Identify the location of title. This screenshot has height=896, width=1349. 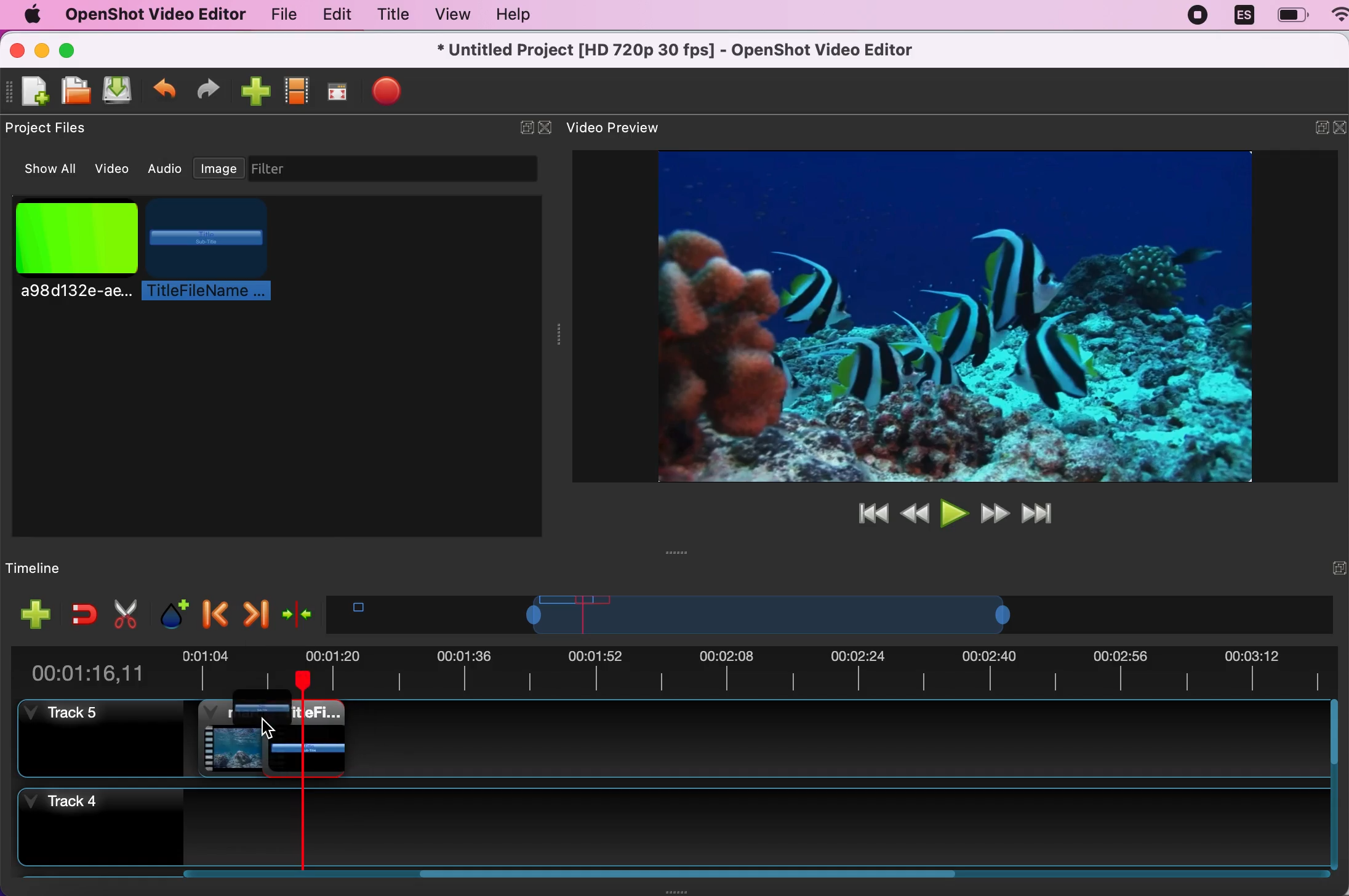
(262, 713).